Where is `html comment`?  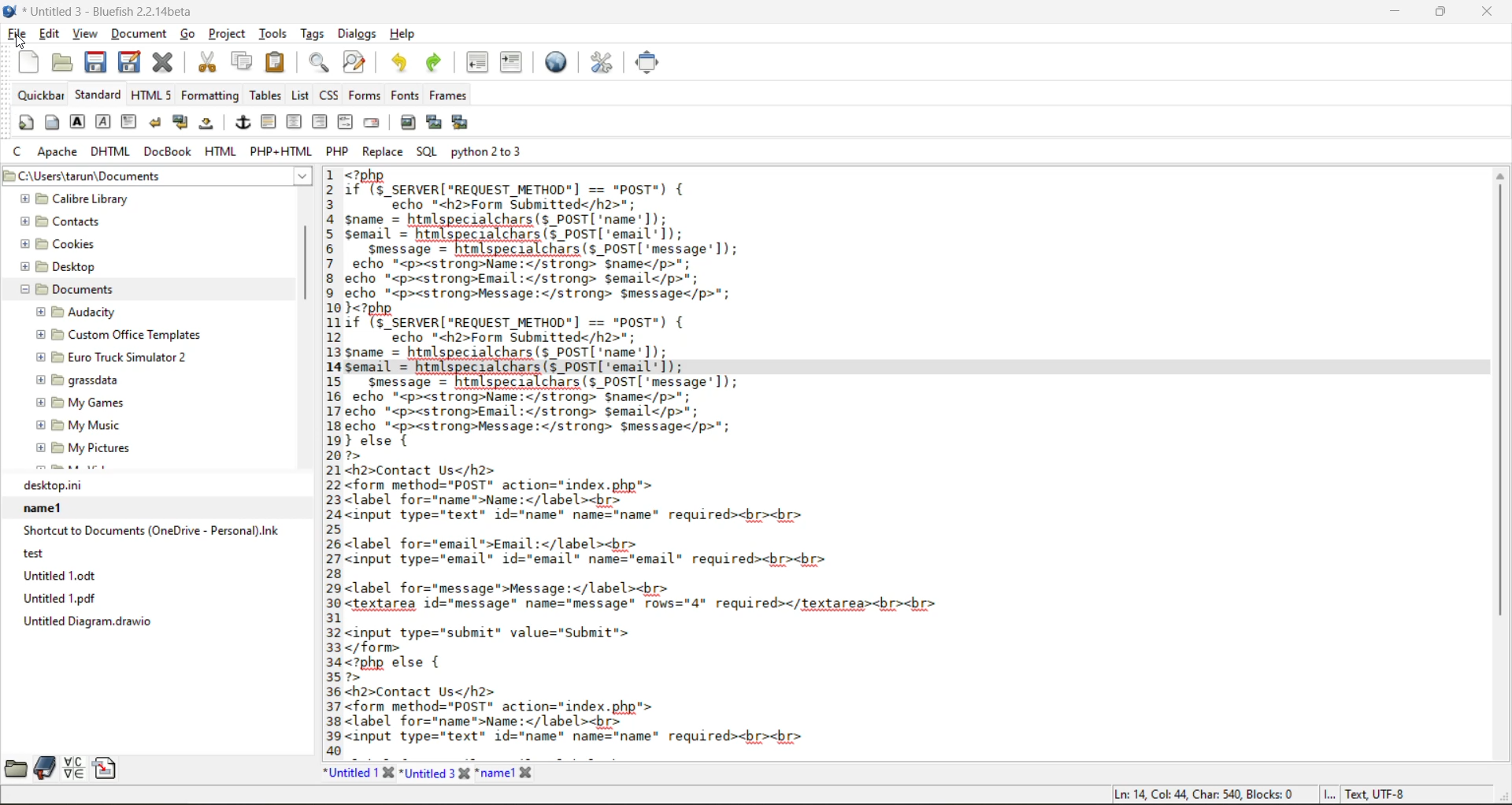 html comment is located at coordinates (345, 122).